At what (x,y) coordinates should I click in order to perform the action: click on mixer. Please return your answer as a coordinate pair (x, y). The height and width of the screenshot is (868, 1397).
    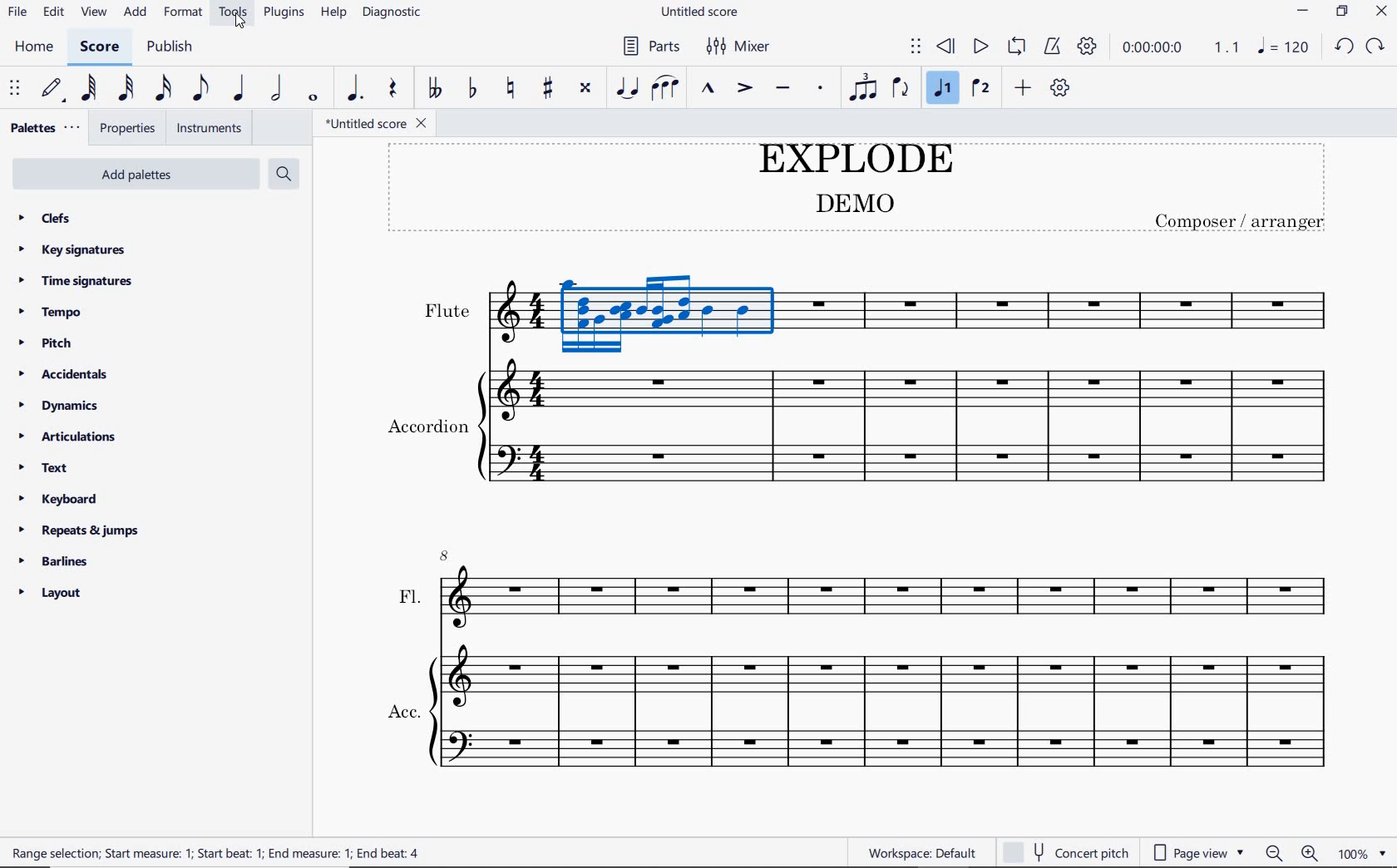
    Looking at the image, I should click on (743, 45).